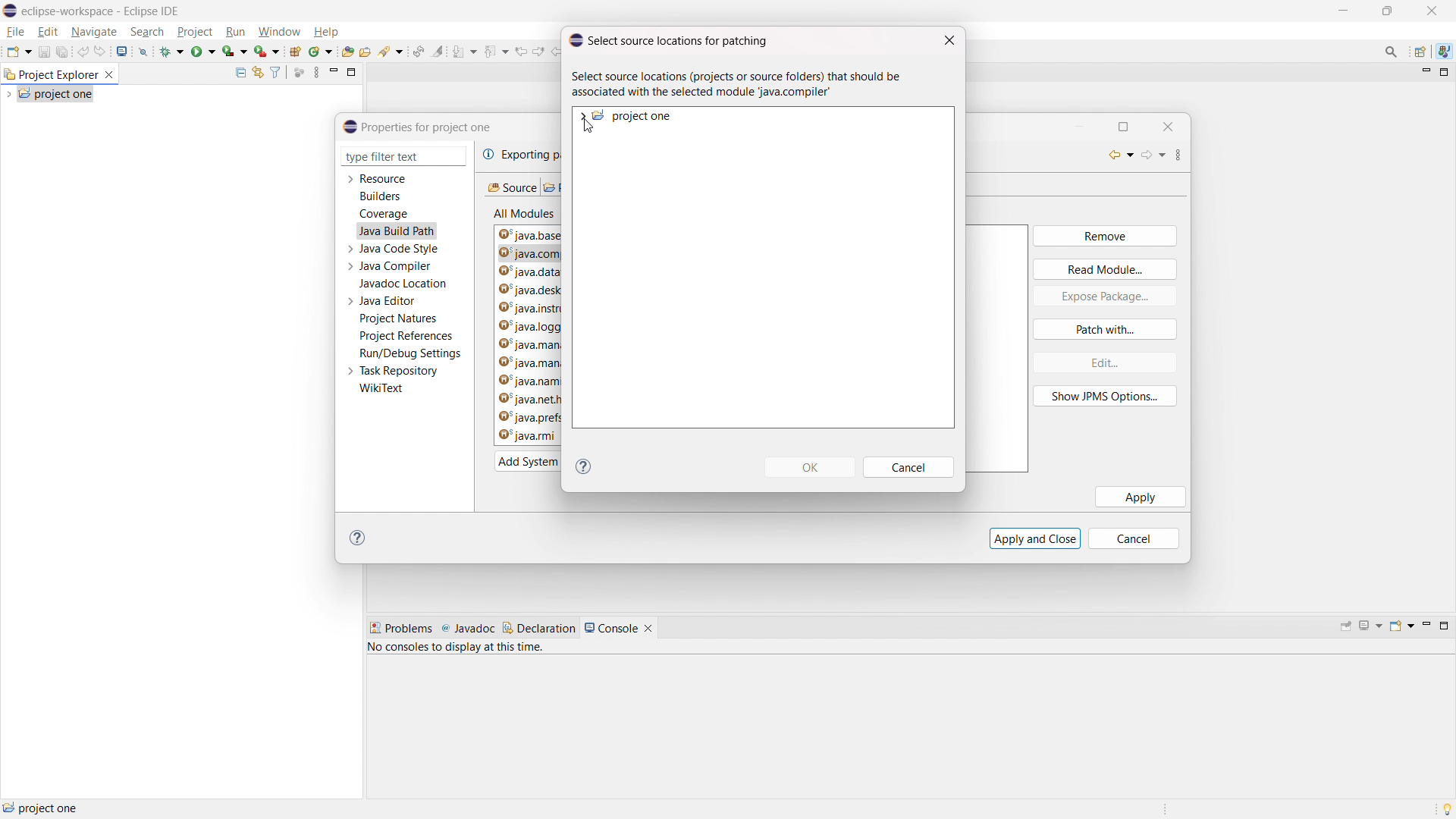 The width and height of the screenshot is (1456, 819). I want to click on maximize, so click(352, 71).